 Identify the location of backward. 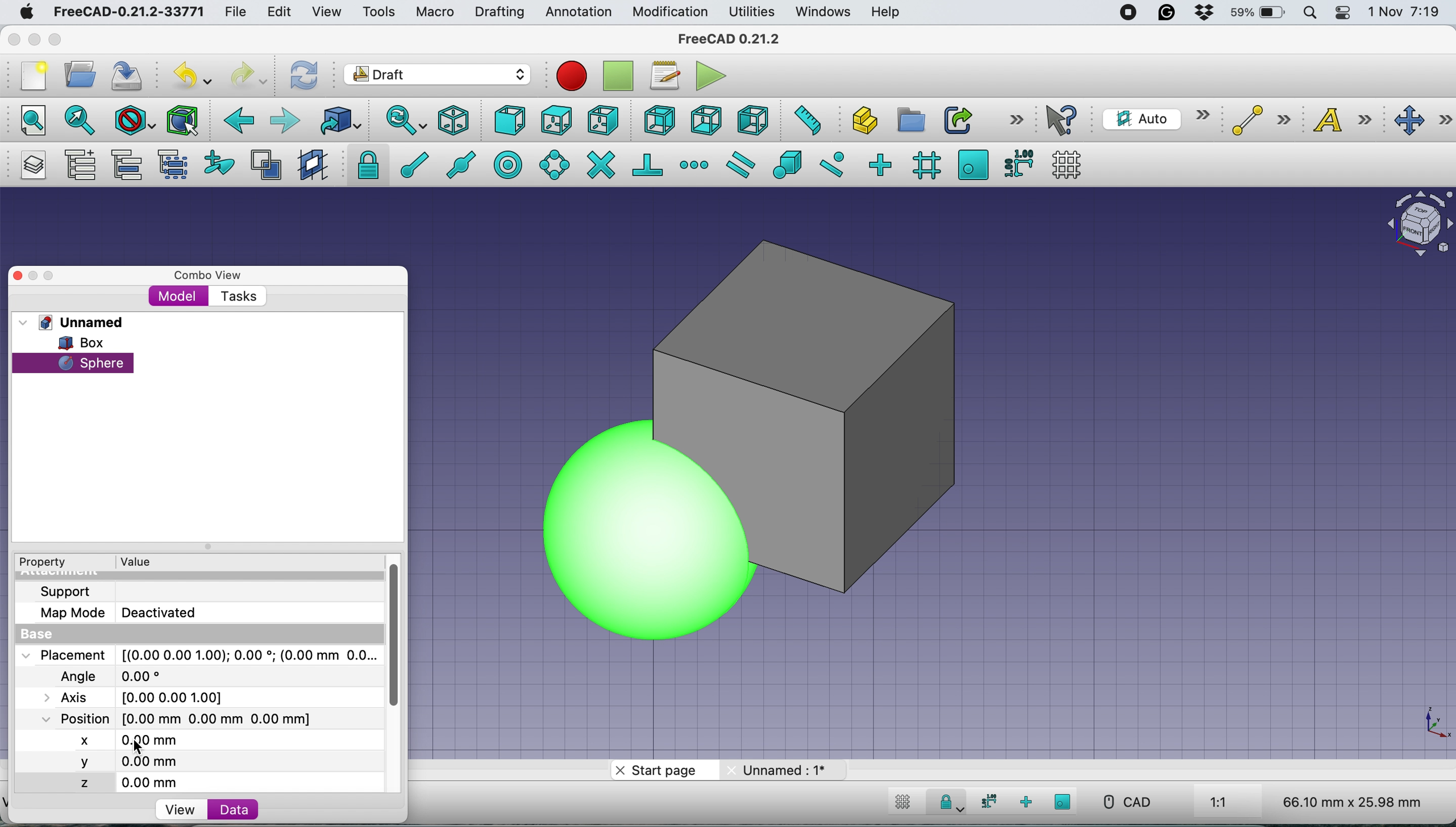
(236, 120).